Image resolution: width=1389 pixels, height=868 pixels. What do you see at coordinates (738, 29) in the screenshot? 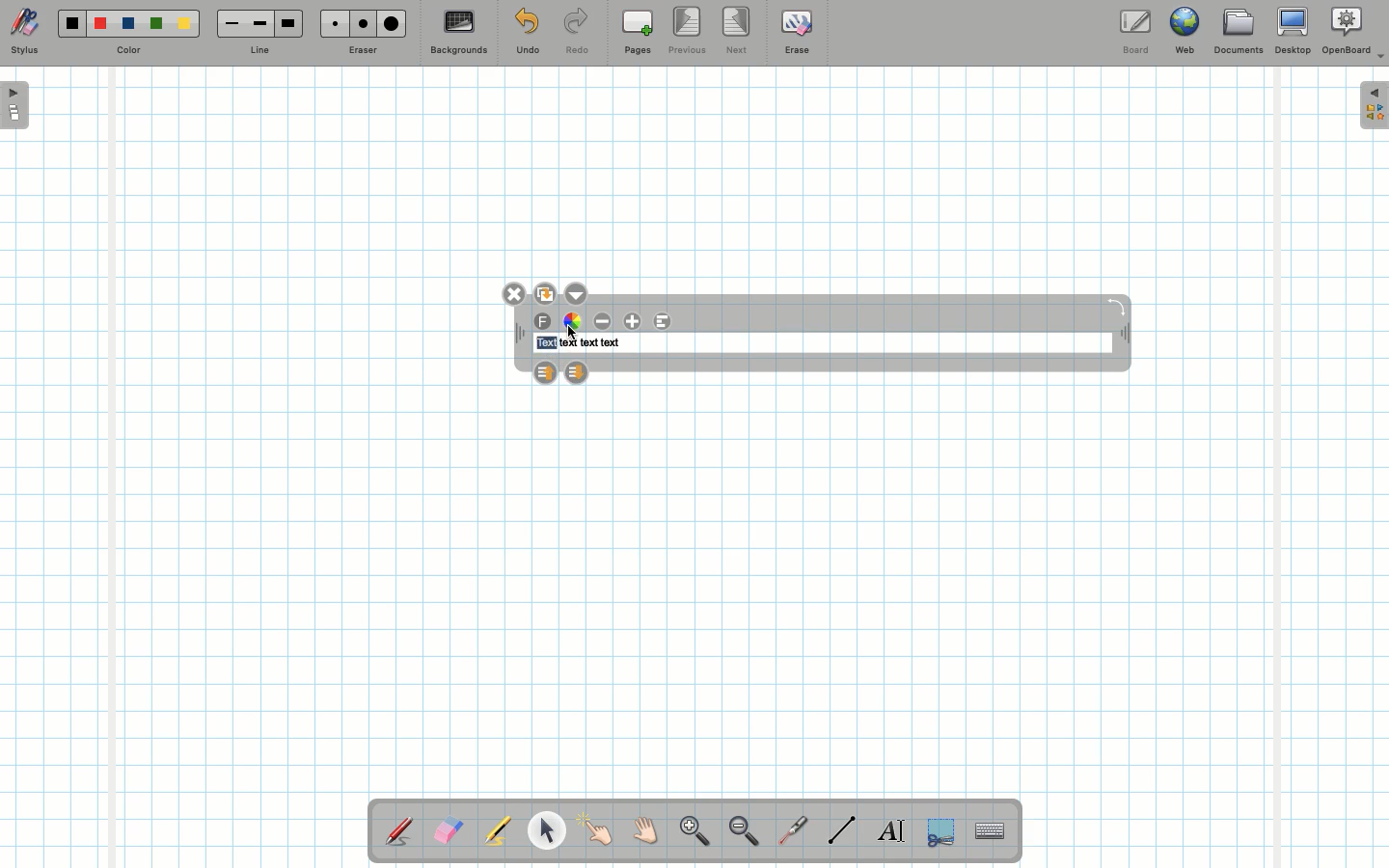
I see `Next` at bounding box center [738, 29].